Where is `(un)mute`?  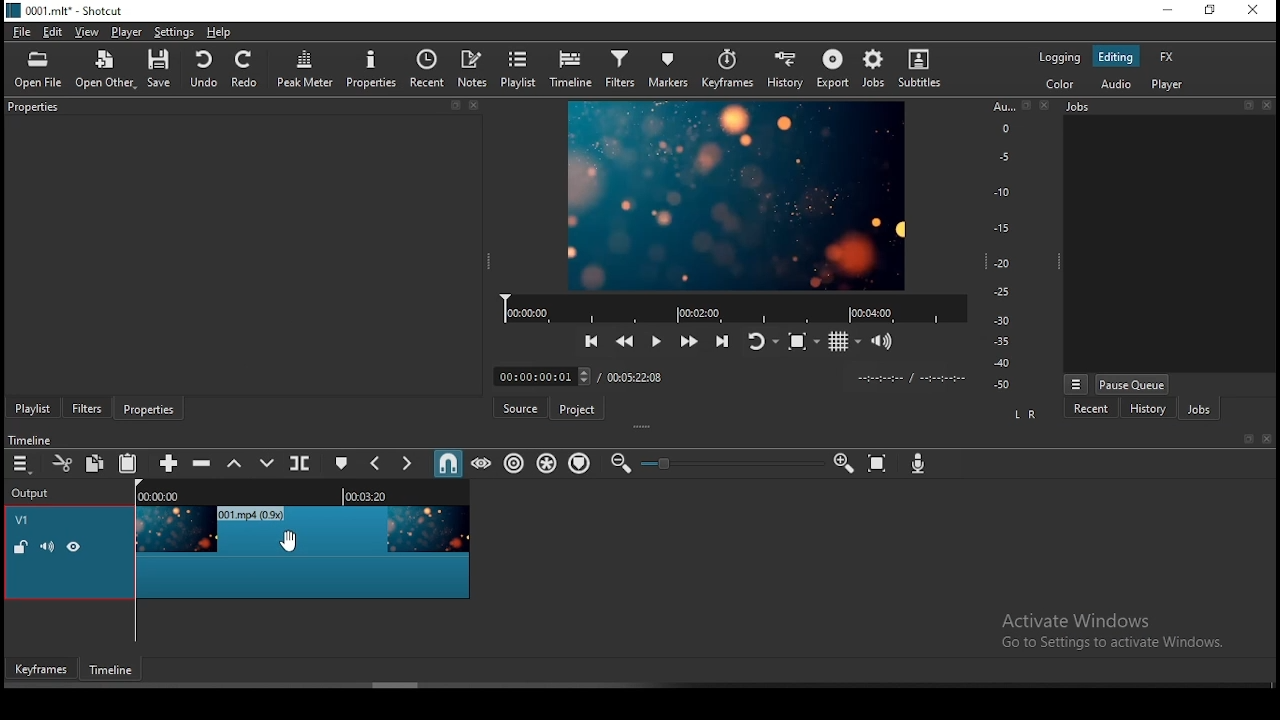
(un)mute is located at coordinates (53, 548).